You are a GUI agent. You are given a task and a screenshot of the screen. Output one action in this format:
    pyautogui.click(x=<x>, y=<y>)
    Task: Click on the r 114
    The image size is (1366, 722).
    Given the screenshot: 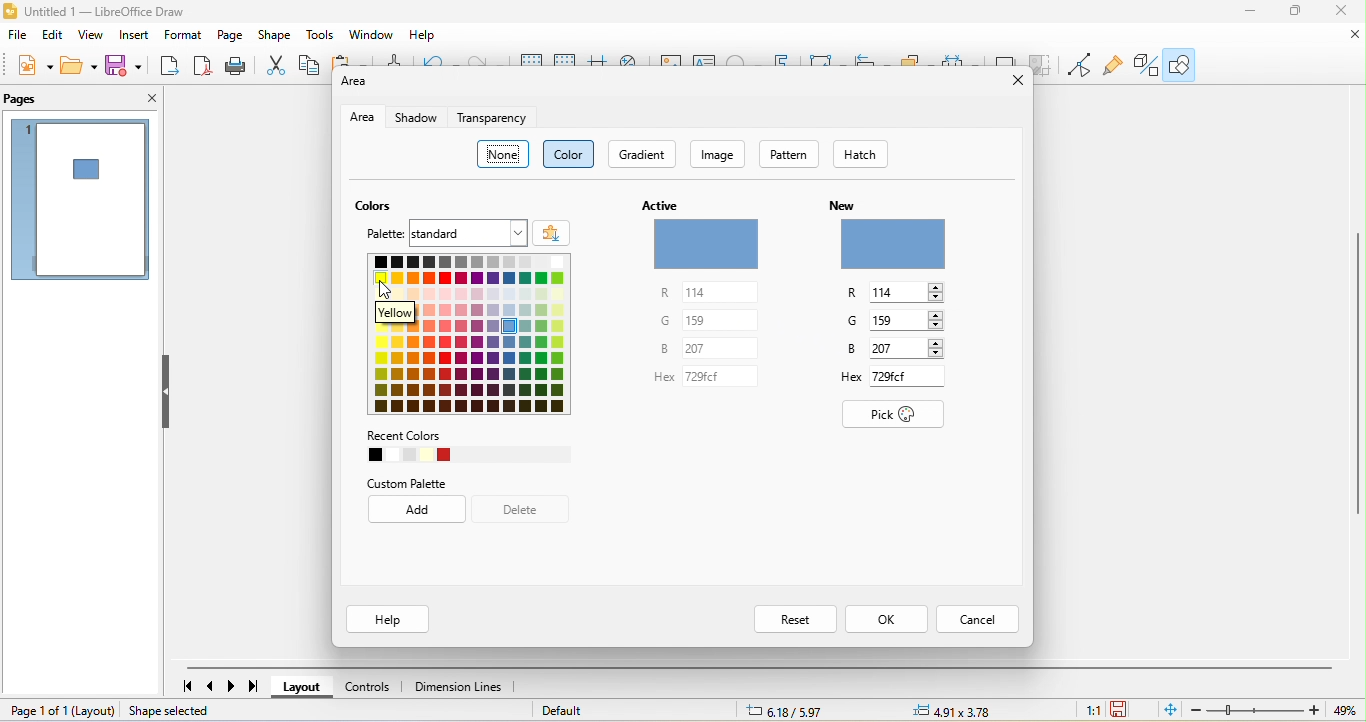 What is the action you would take?
    pyautogui.click(x=711, y=293)
    